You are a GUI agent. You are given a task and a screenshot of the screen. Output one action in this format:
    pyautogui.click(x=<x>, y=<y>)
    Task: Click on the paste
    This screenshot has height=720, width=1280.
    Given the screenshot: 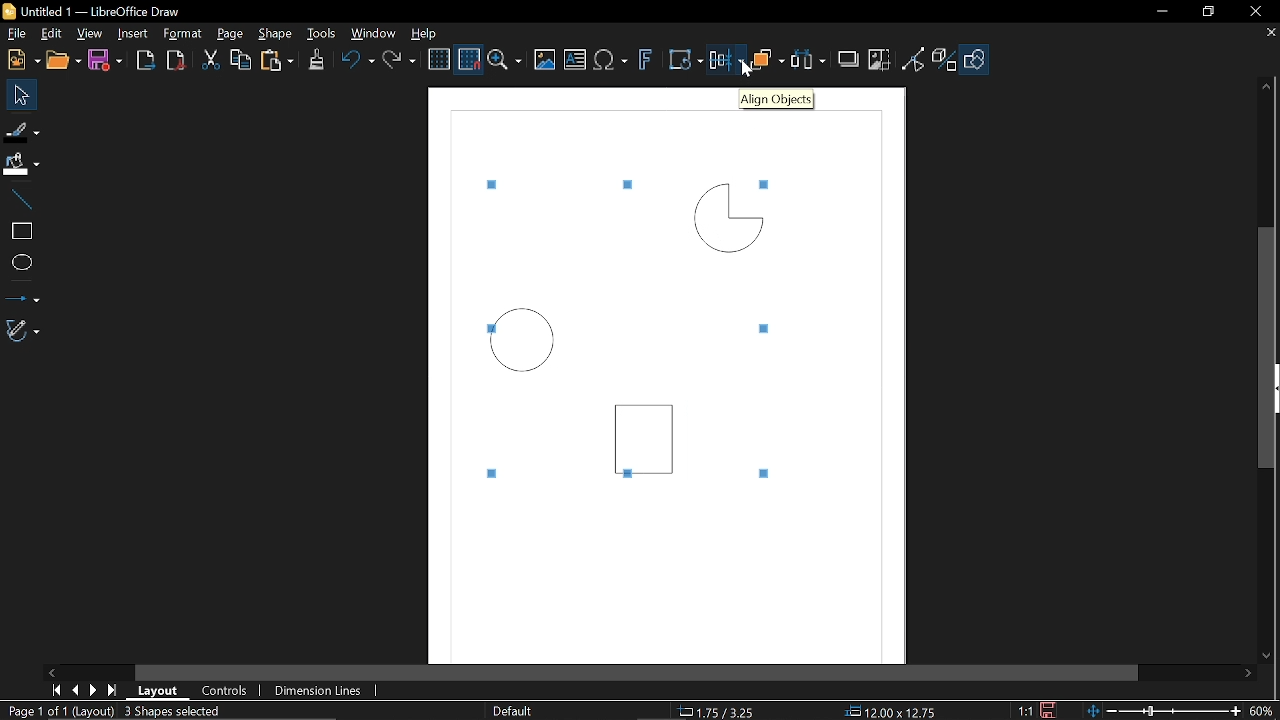 What is the action you would take?
    pyautogui.click(x=279, y=60)
    